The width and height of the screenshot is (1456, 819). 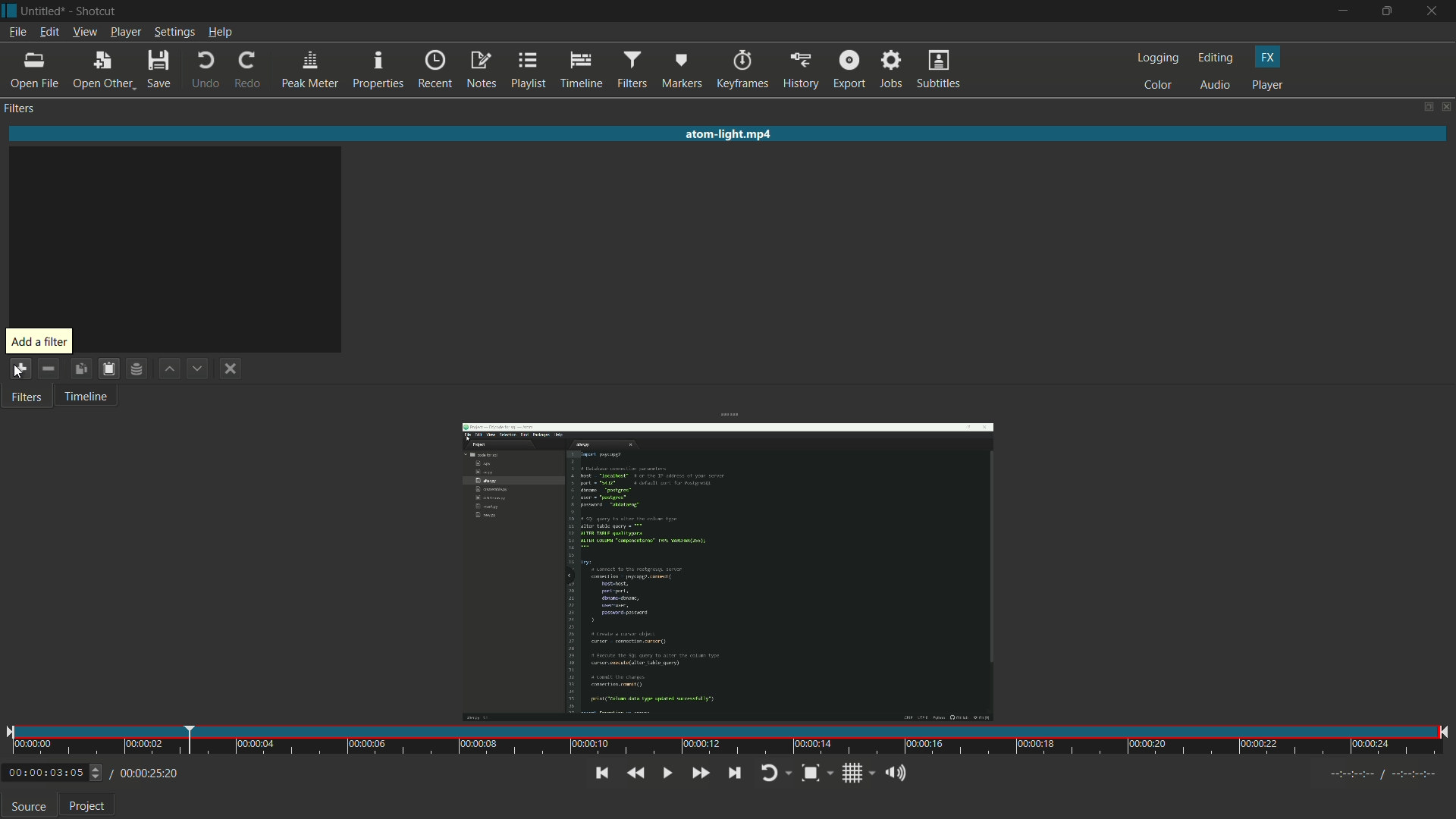 What do you see at coordinates (249, 71) in the screenshot?
I see `redo` at bounding box center [249, 71].